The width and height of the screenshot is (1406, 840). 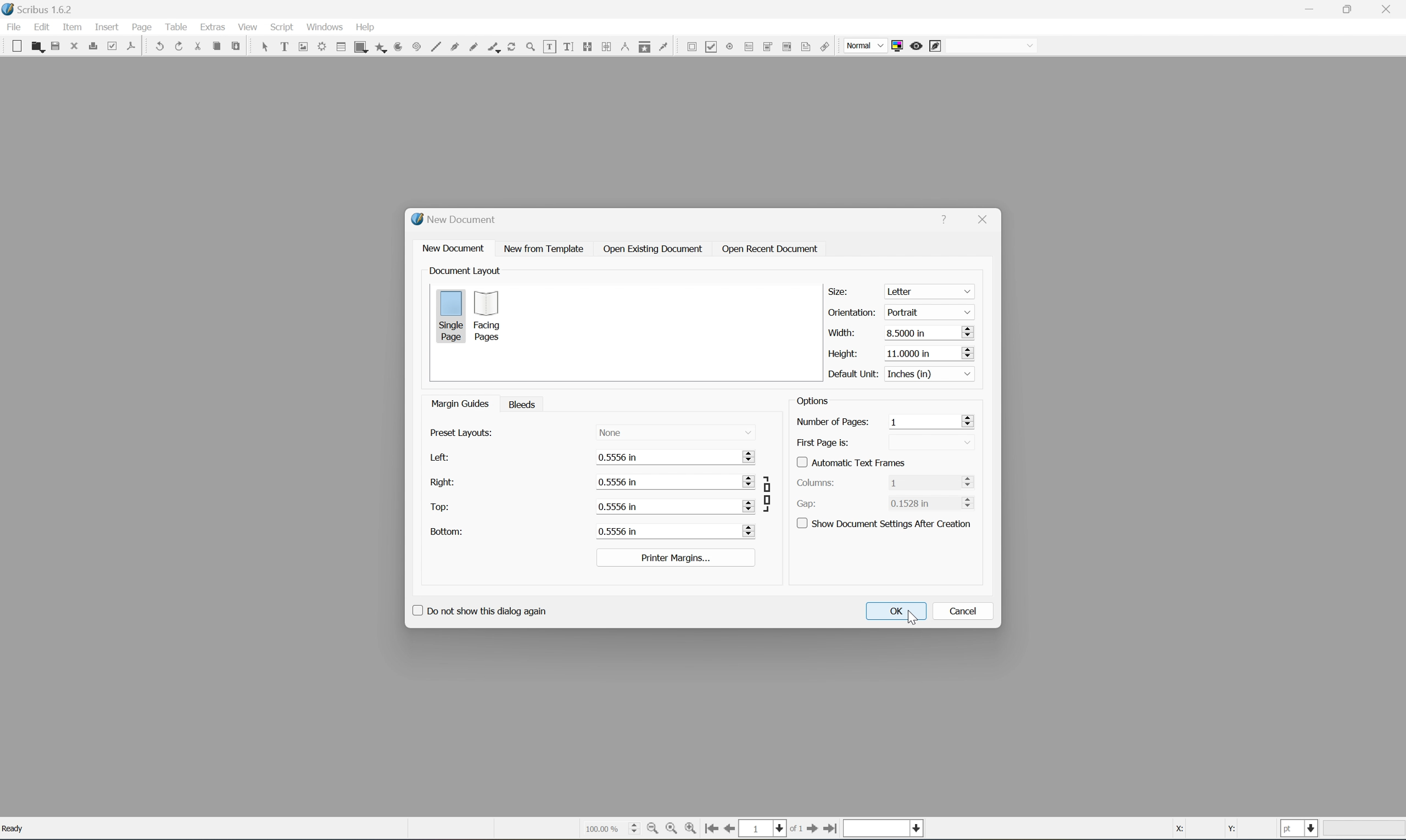 I want to click on options, so click(x=817, y=400).